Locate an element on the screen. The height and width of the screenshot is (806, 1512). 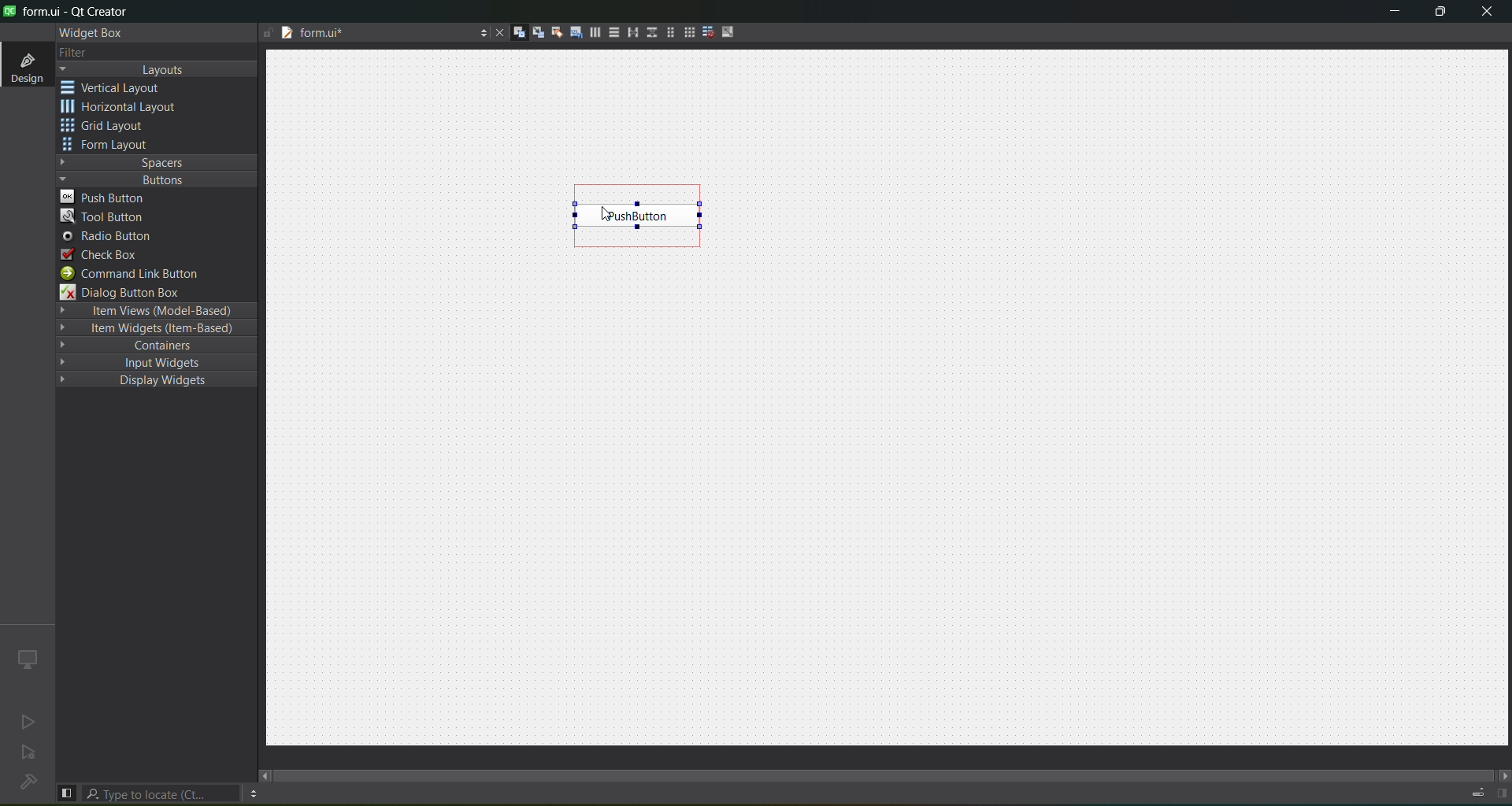
Push button inserted is located at coordinates (636, 218).